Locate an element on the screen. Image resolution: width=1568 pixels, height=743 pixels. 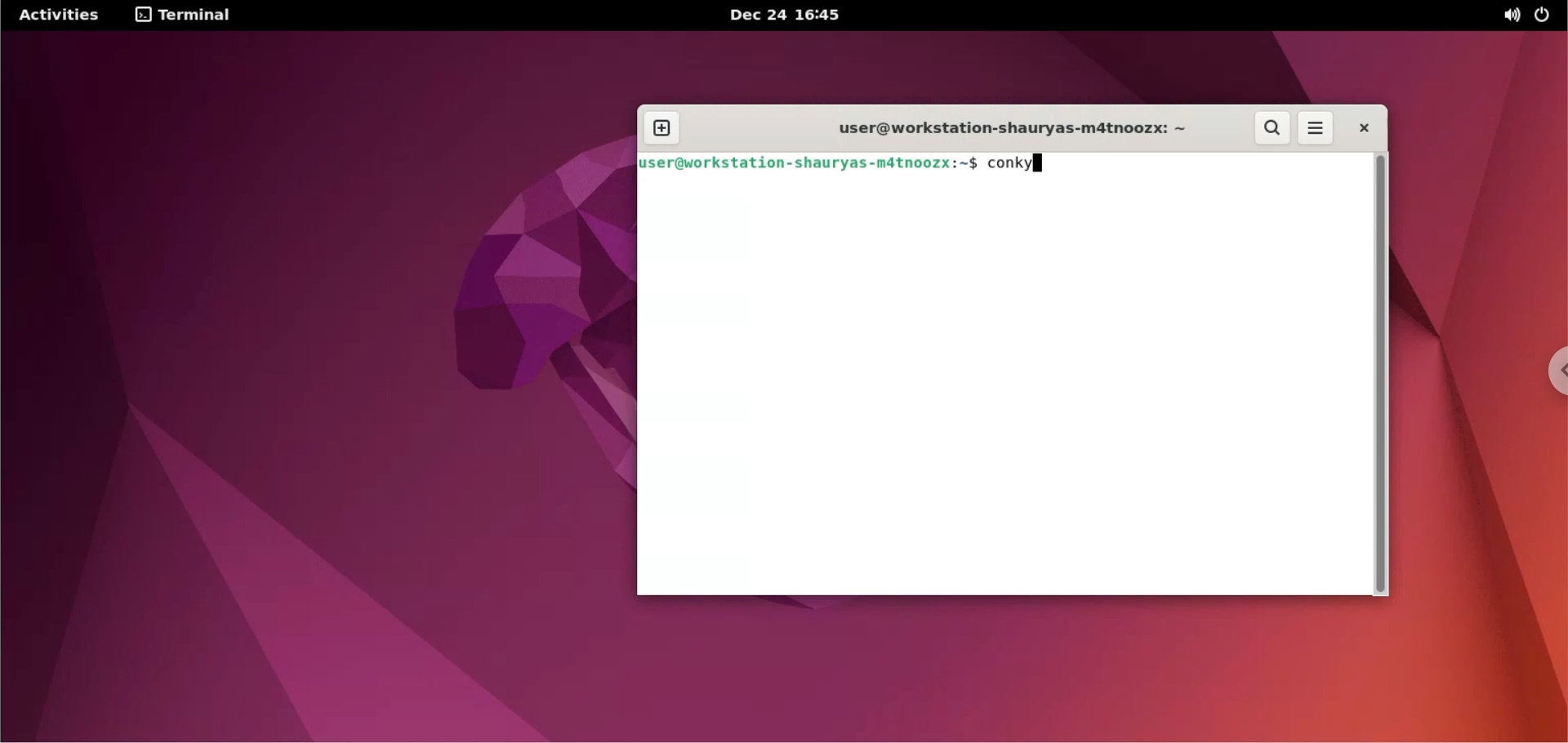
terminal command input box is located at coordinates (1209, 164).